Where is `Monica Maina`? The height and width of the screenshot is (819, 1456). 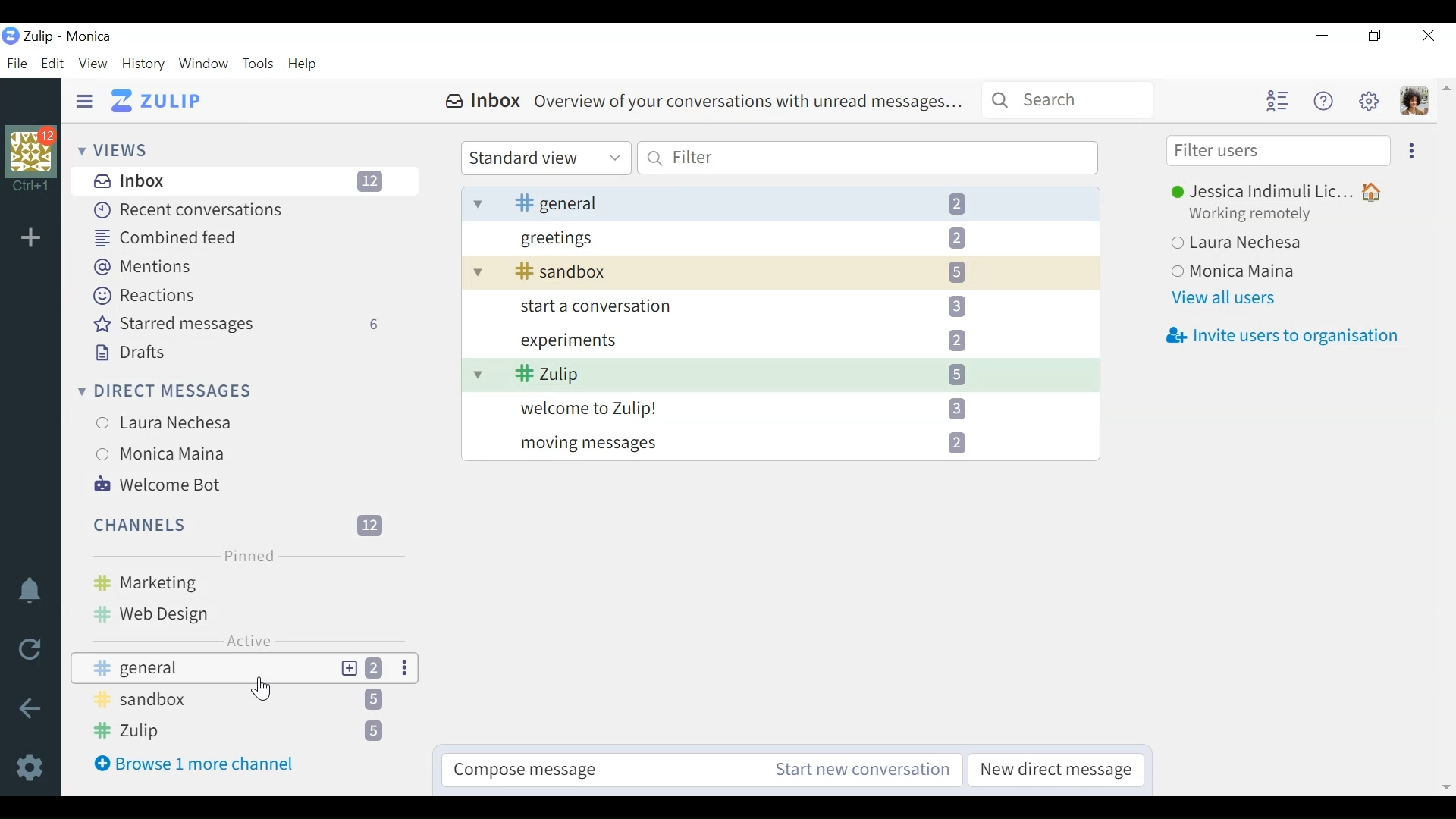
Monica Maina is located at coordinates (1281, 272).